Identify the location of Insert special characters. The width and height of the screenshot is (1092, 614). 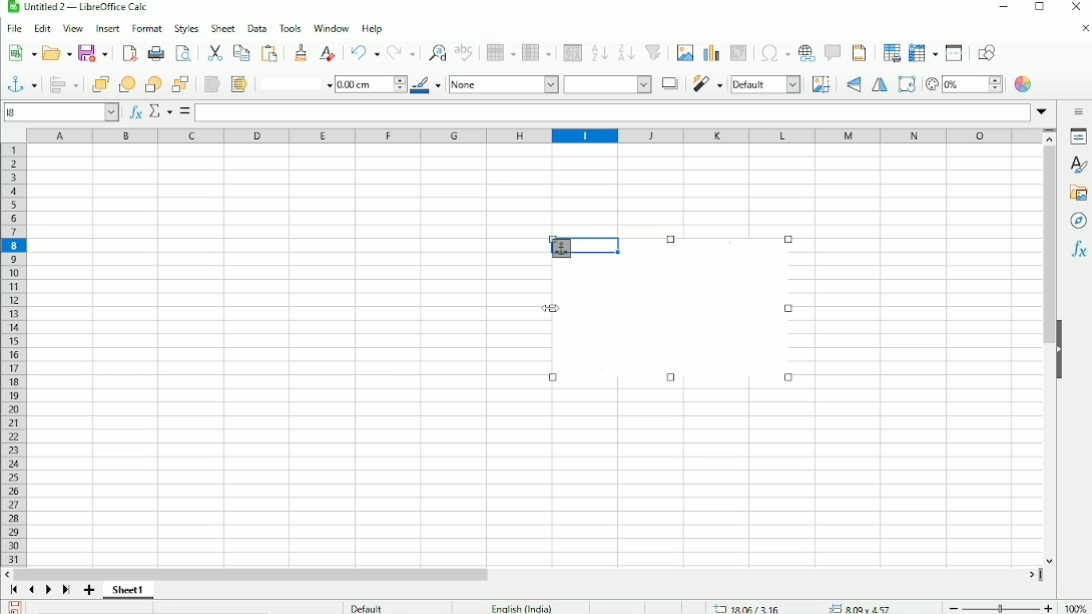
(772, 53).